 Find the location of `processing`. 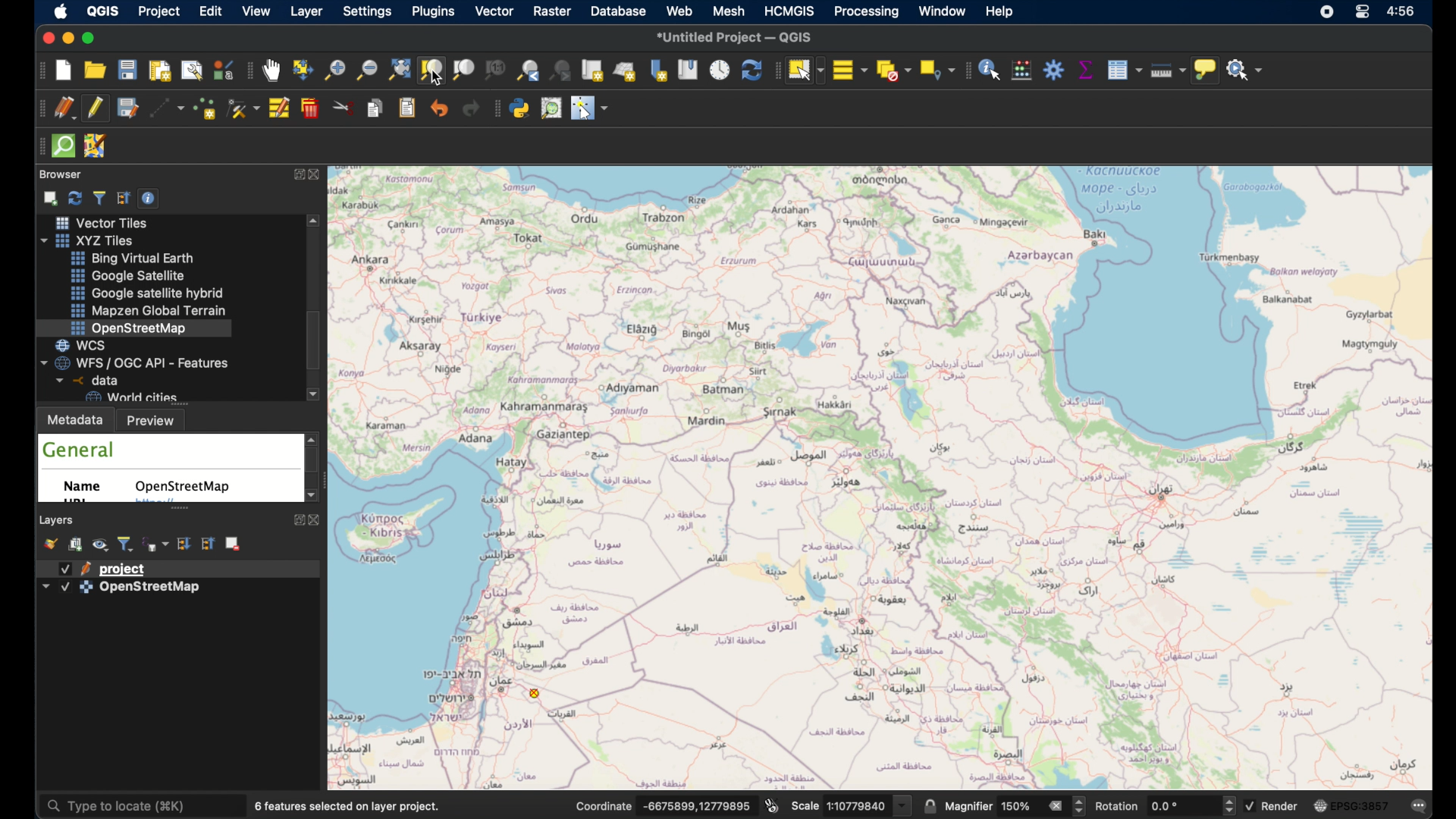

processing is located at coordinates (867, 12).